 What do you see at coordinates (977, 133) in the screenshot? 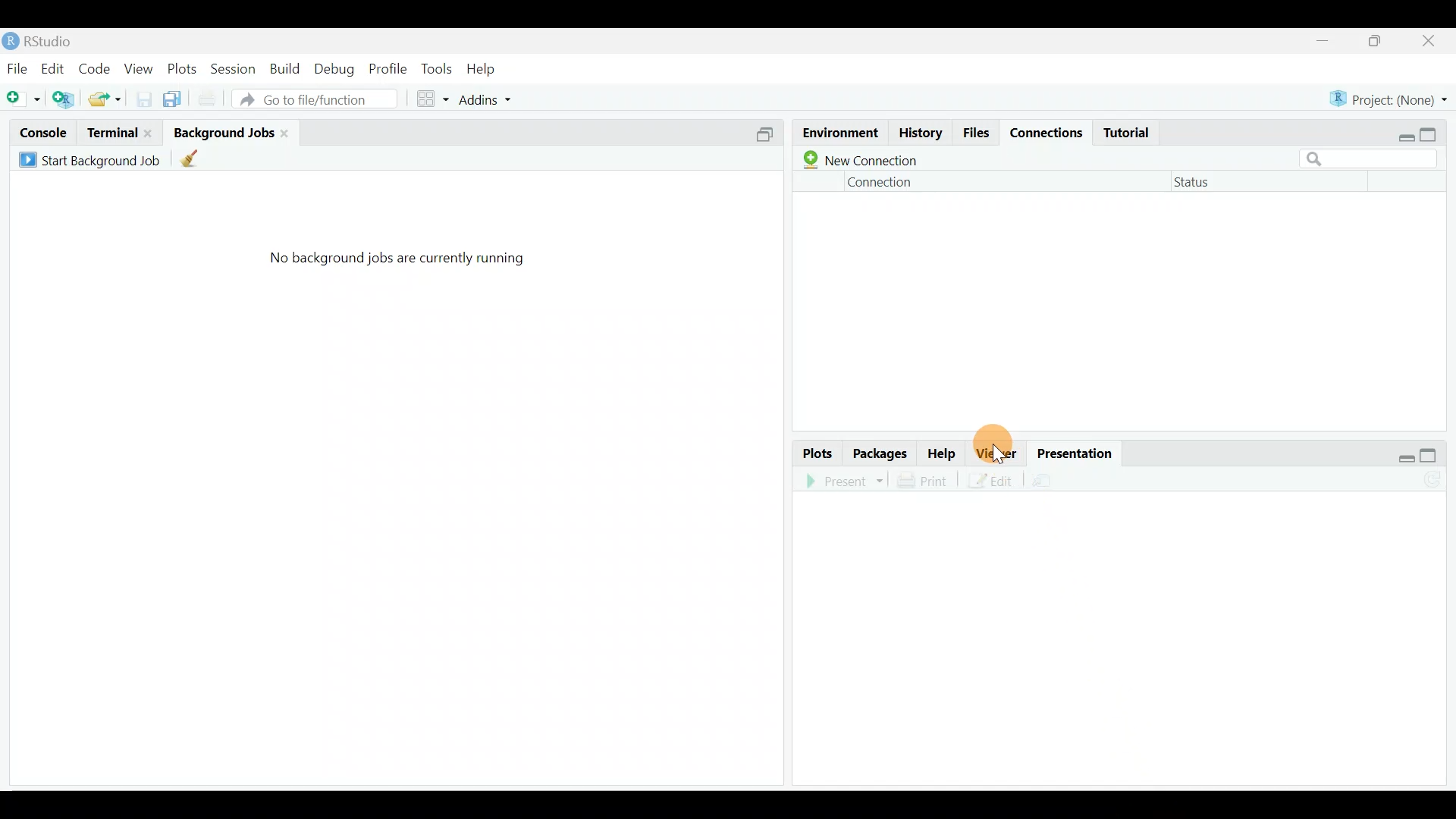
I see `Files` at bounding box center [977, 133].